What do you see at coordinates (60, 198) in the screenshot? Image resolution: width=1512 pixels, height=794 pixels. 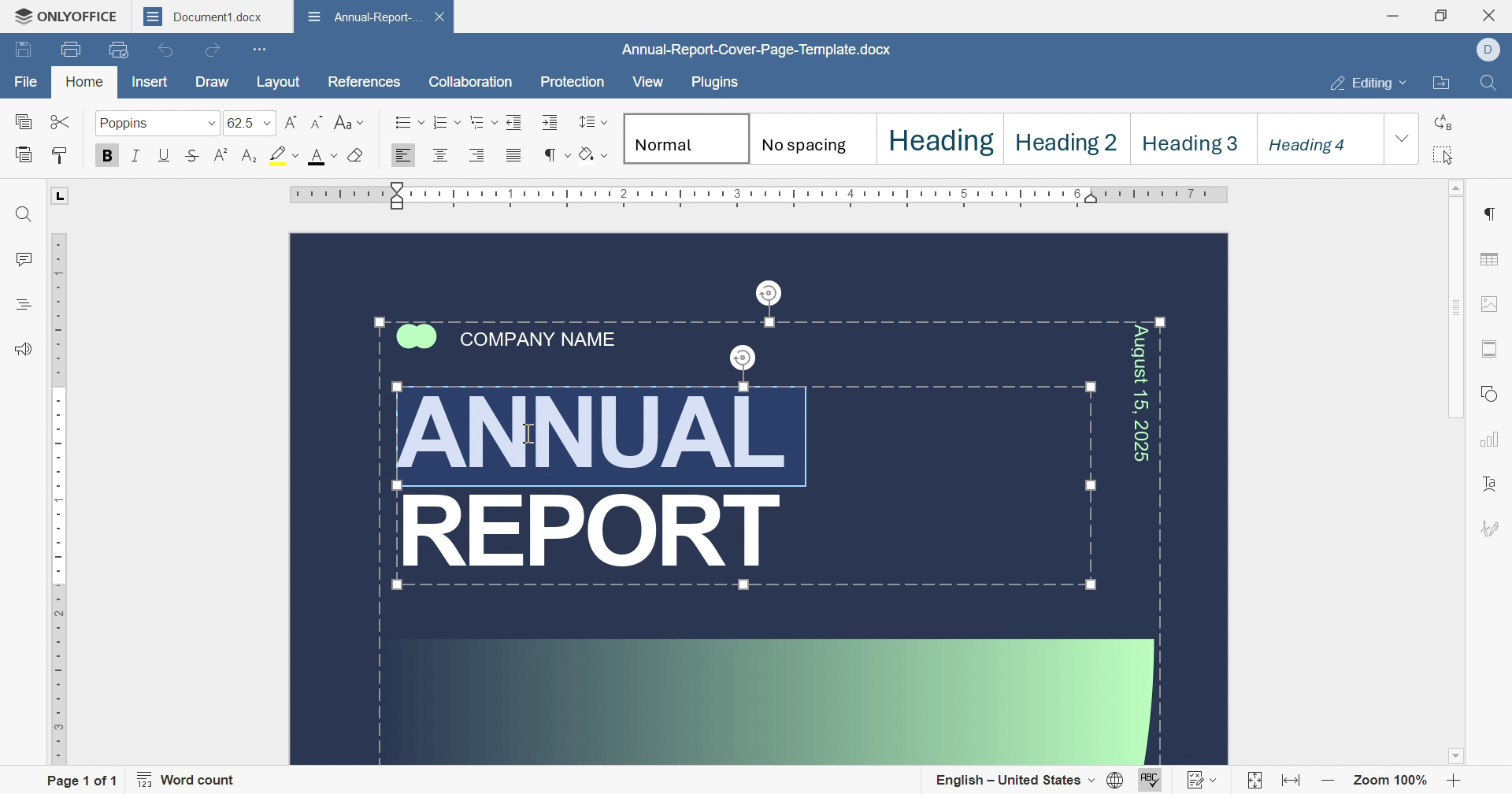 I see `L` at bounding box center [60, 198].